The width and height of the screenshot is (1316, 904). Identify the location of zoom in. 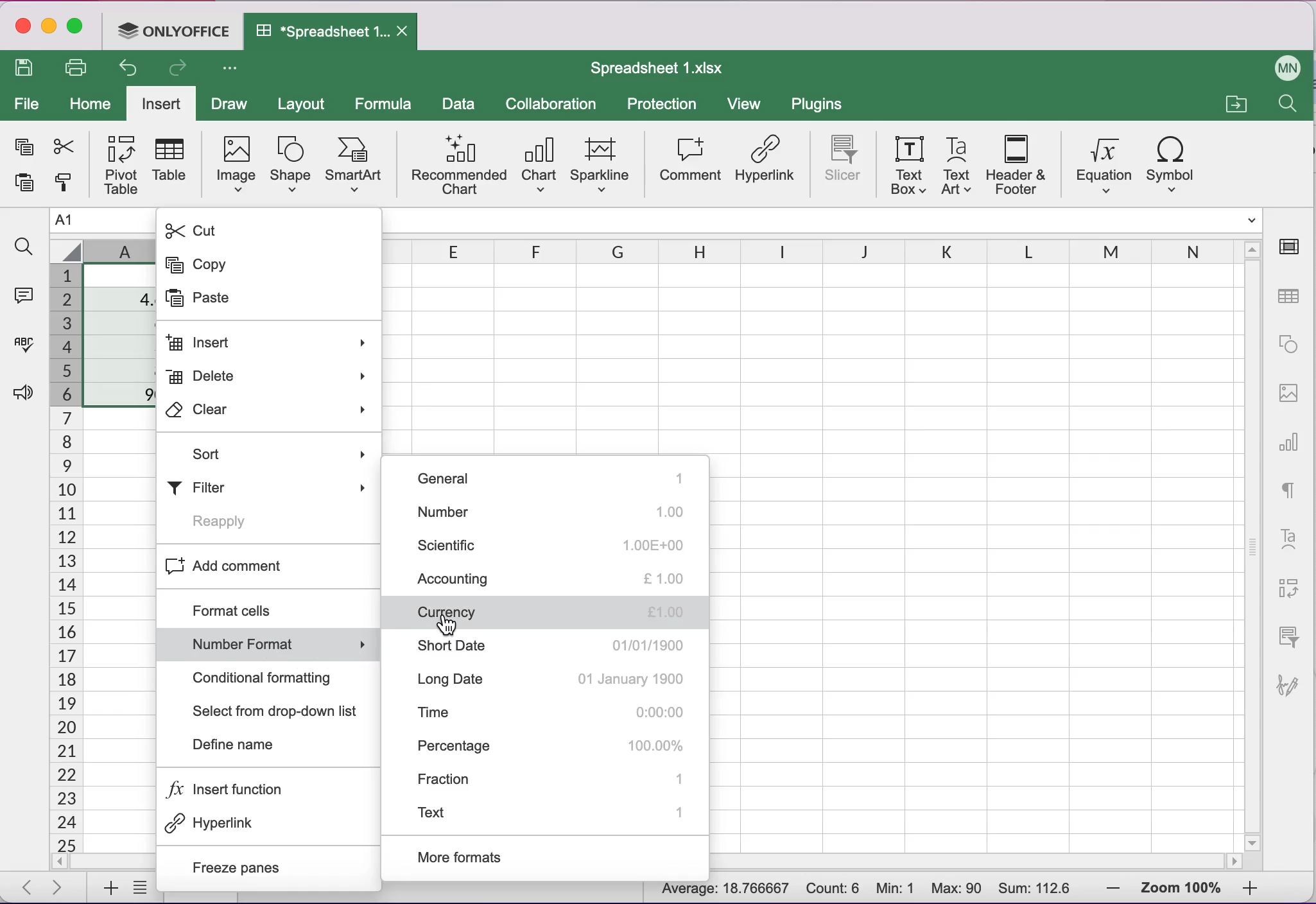
(1252, 888).